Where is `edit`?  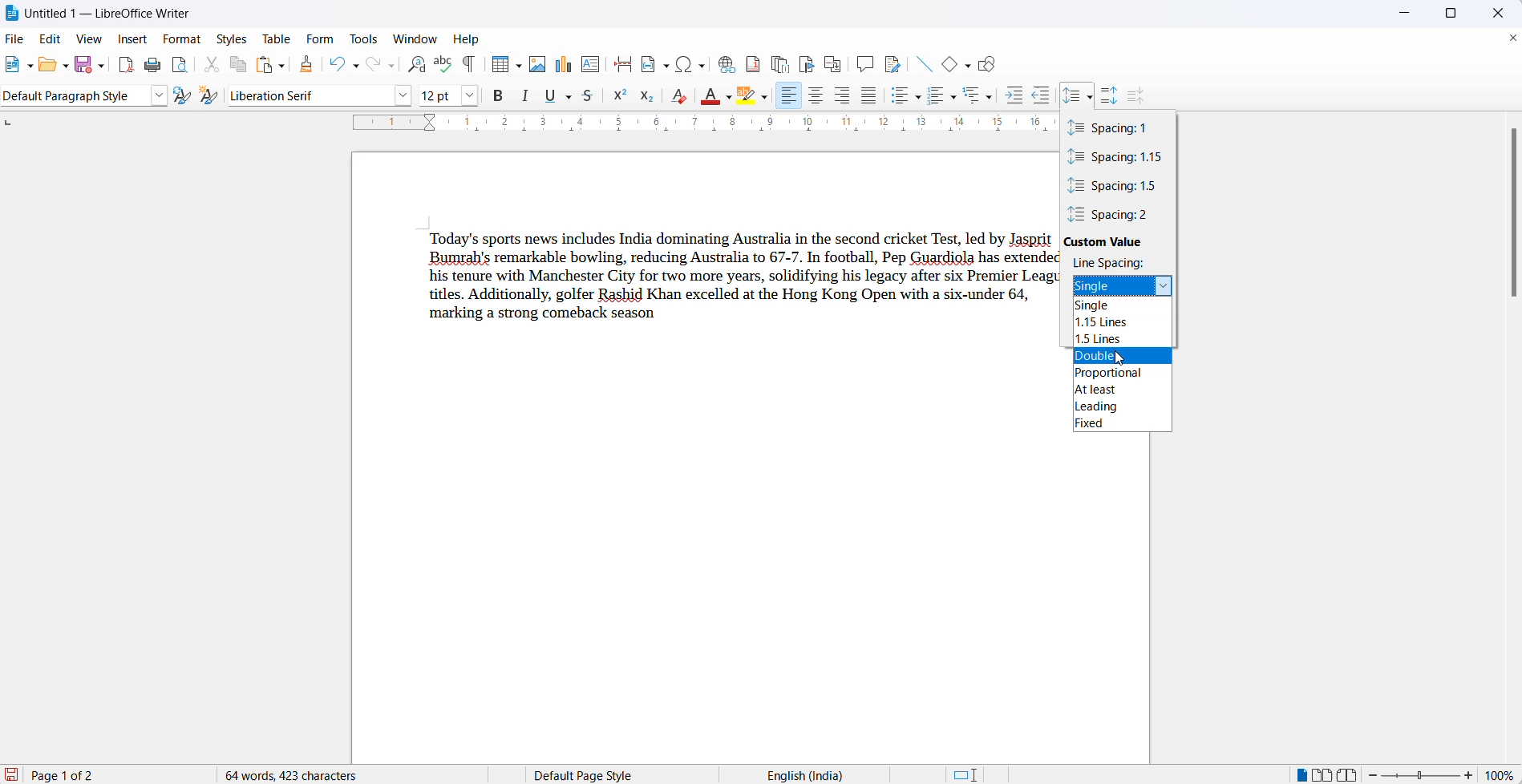
edit is located at coordinates (53, 38).